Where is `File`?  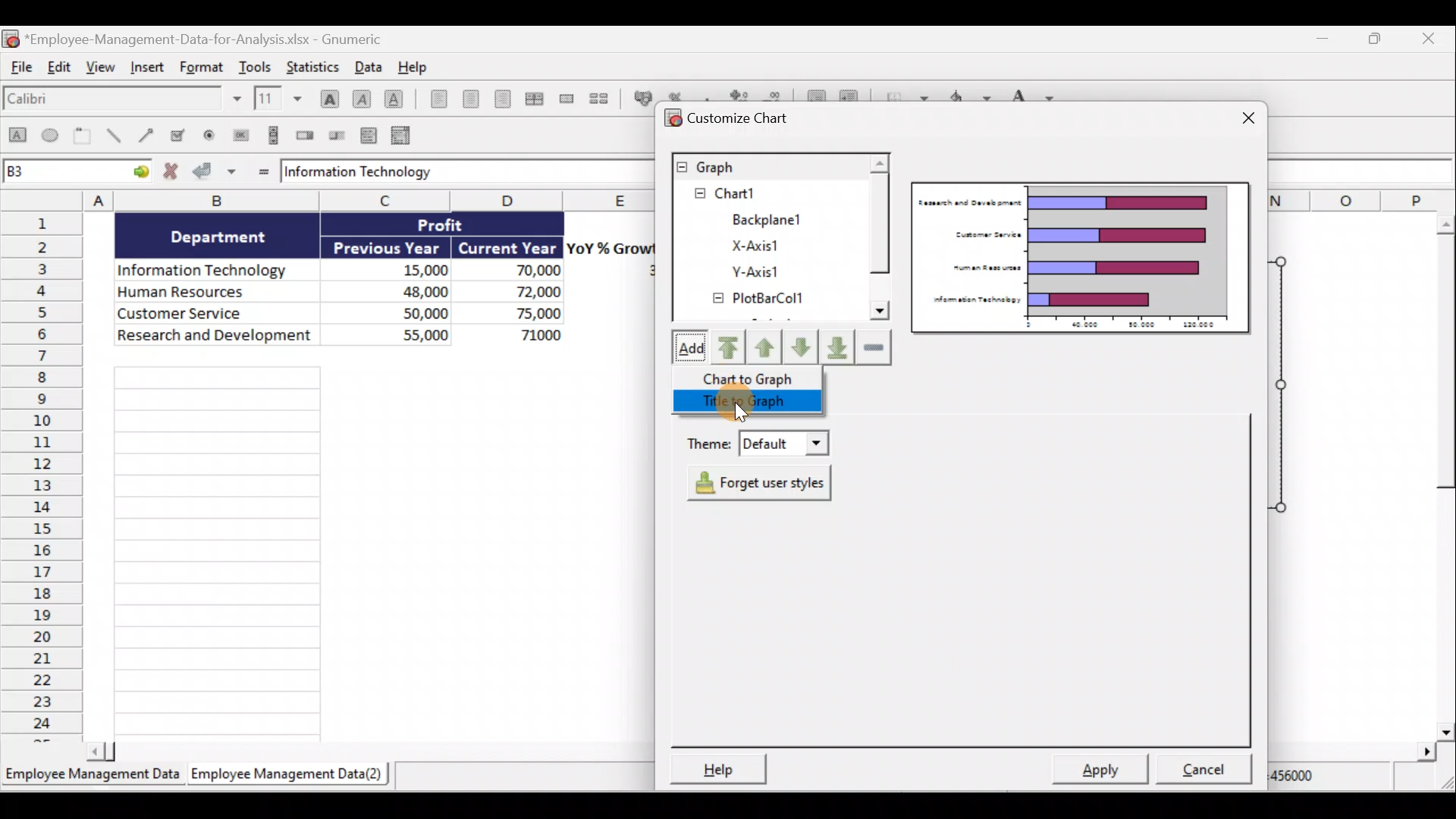 File is located at coordinates (21, 71).